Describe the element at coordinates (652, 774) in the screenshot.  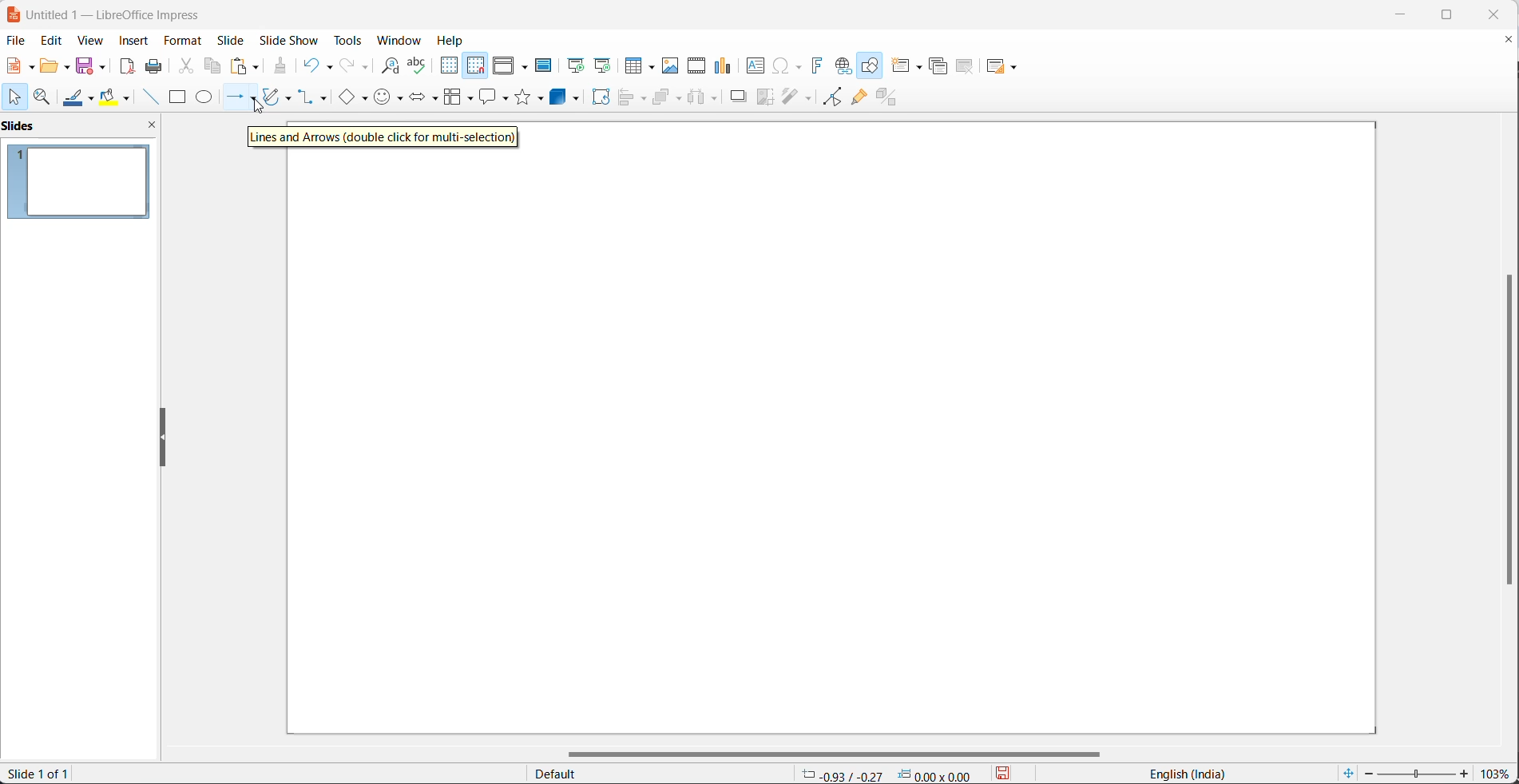
I see `default page style` at that location.